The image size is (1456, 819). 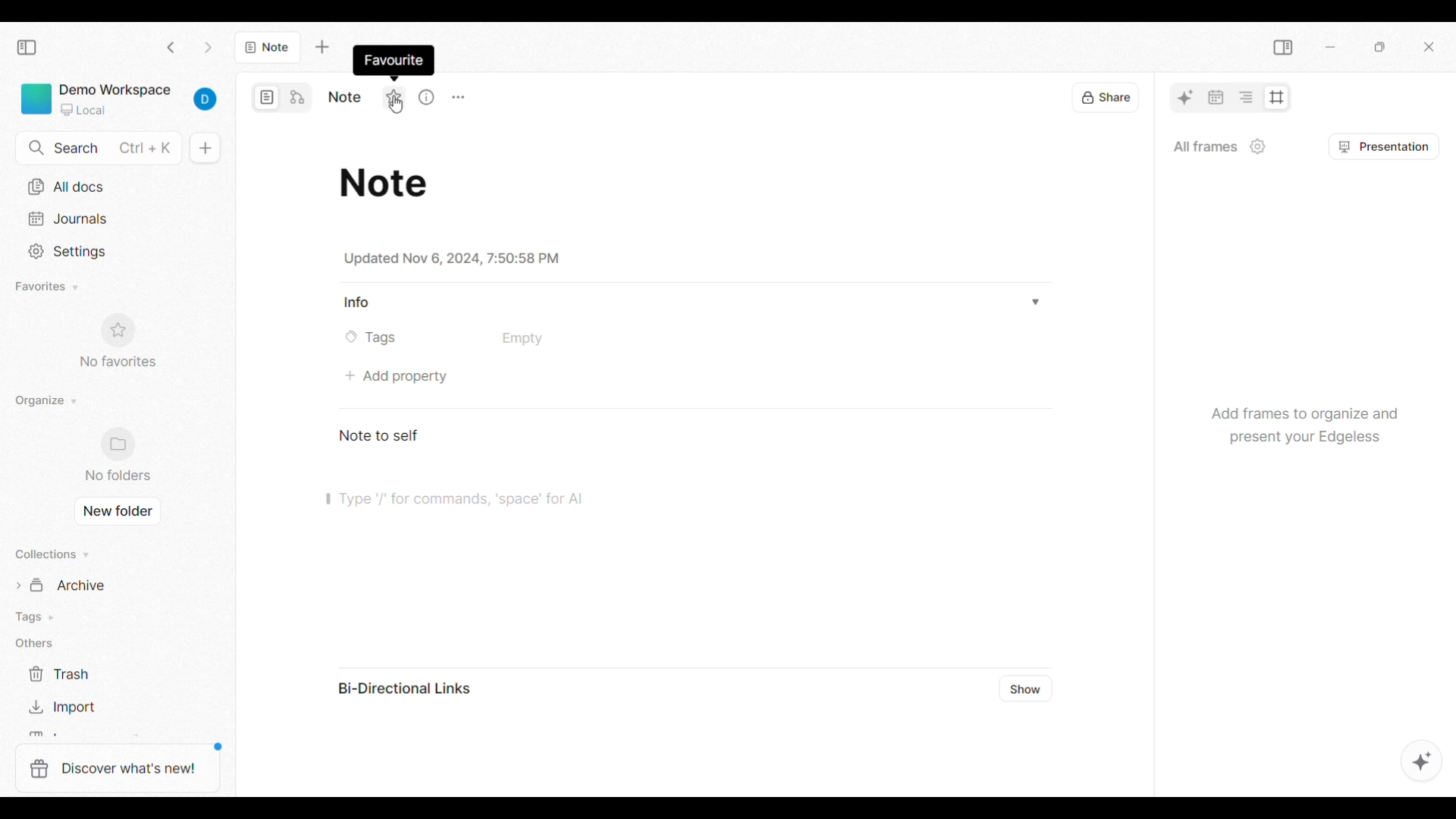 I want to click on Minimize, so click(x=1330, y=47).